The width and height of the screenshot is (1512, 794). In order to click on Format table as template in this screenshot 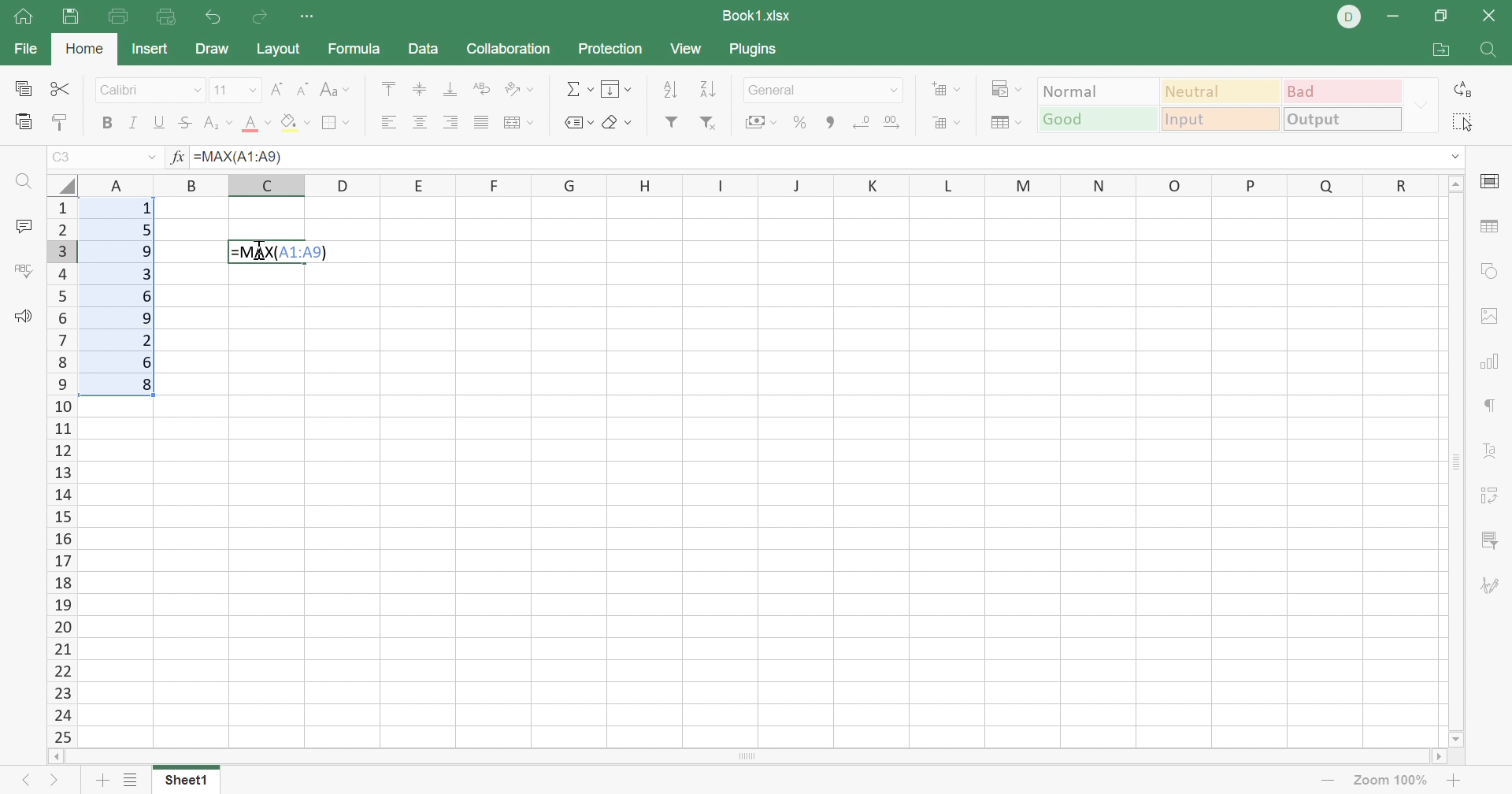, I will do `click(1005, 123)`.